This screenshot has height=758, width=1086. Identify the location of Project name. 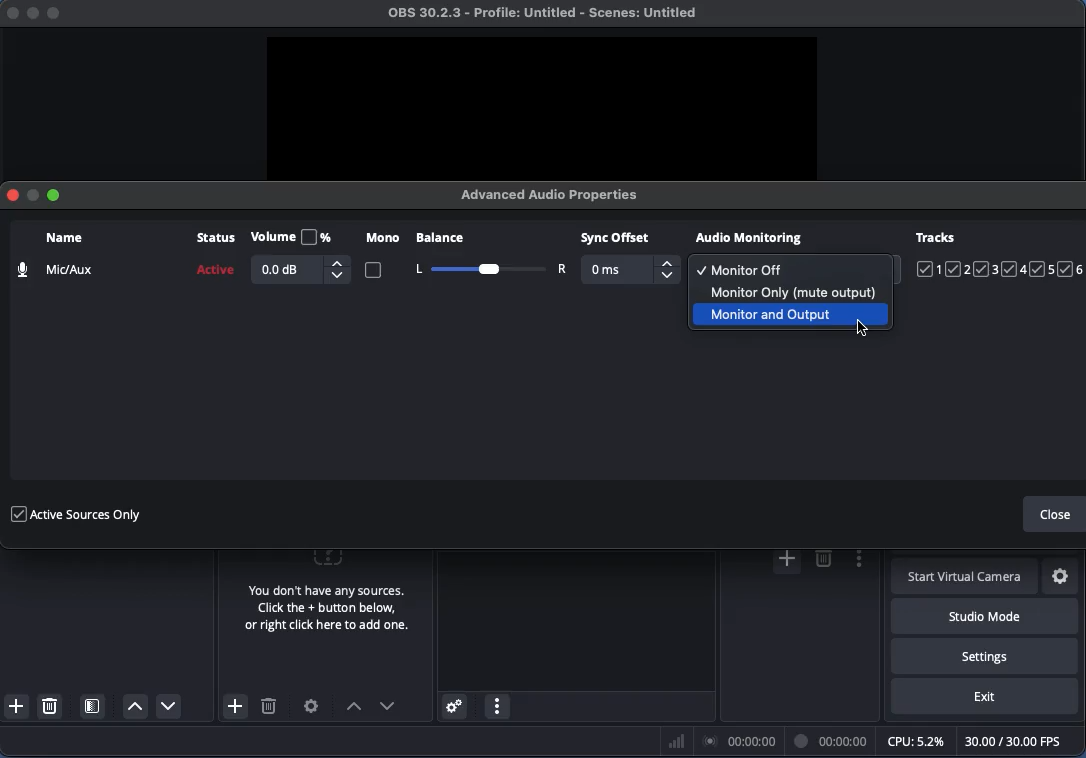
(548, 14).